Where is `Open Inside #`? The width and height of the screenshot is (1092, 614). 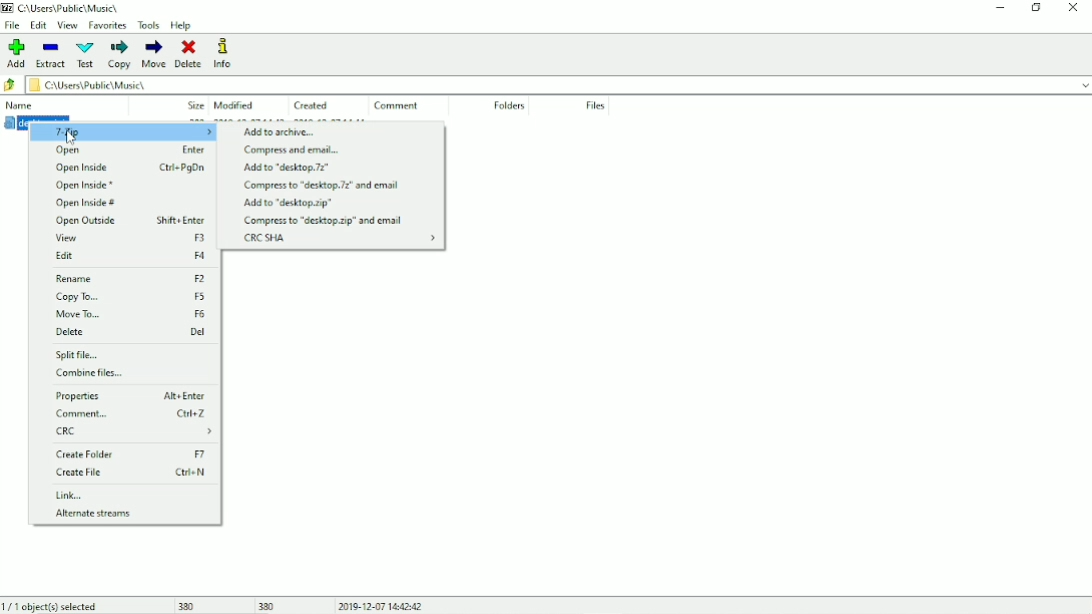 Open Inside # is located at coordinates (90, 204).